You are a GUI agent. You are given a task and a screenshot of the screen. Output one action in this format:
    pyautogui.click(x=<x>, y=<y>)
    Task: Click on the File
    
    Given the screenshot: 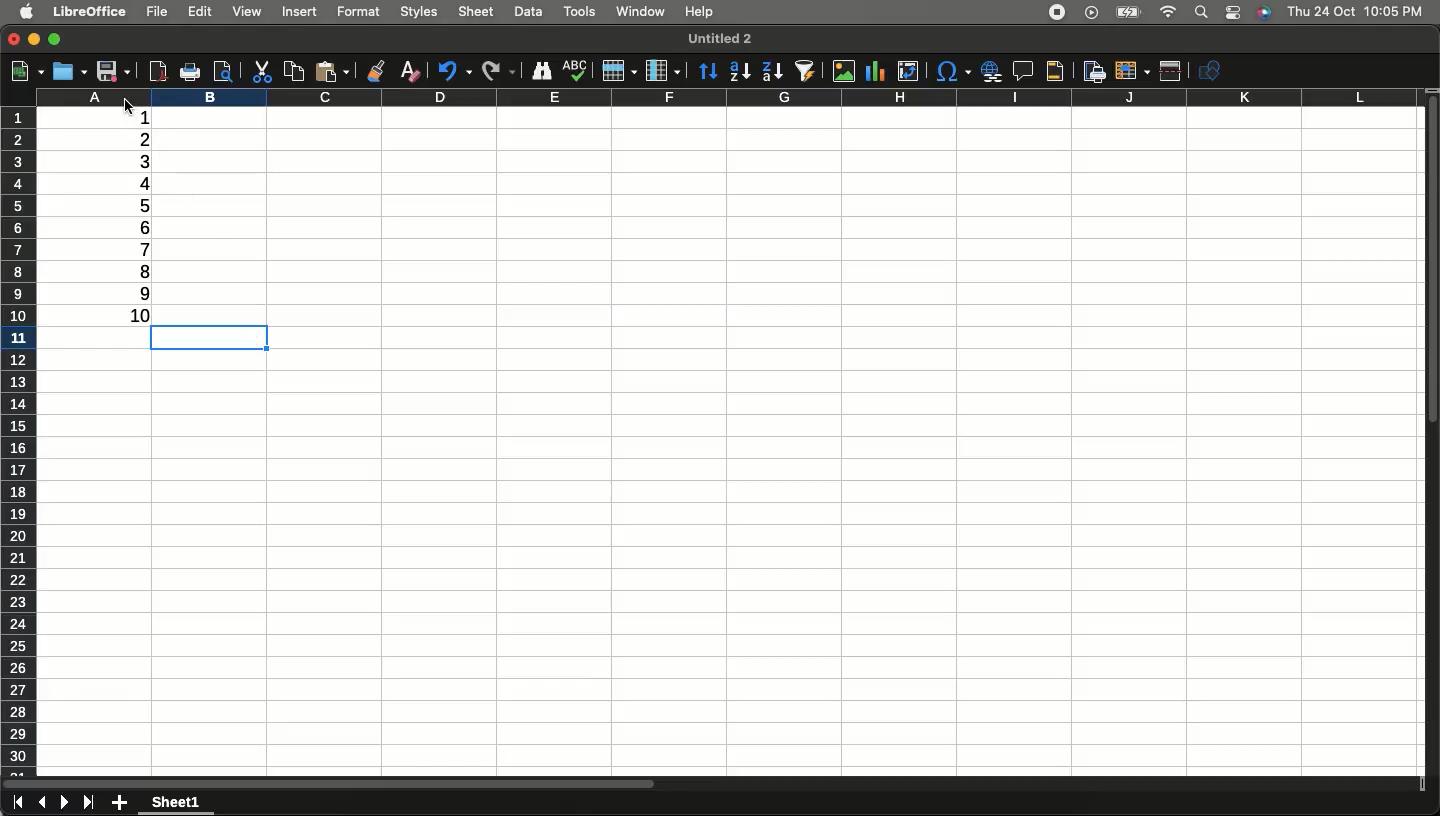 What is the action you would take?
    pyautogui.click(x=155, y=11)
    